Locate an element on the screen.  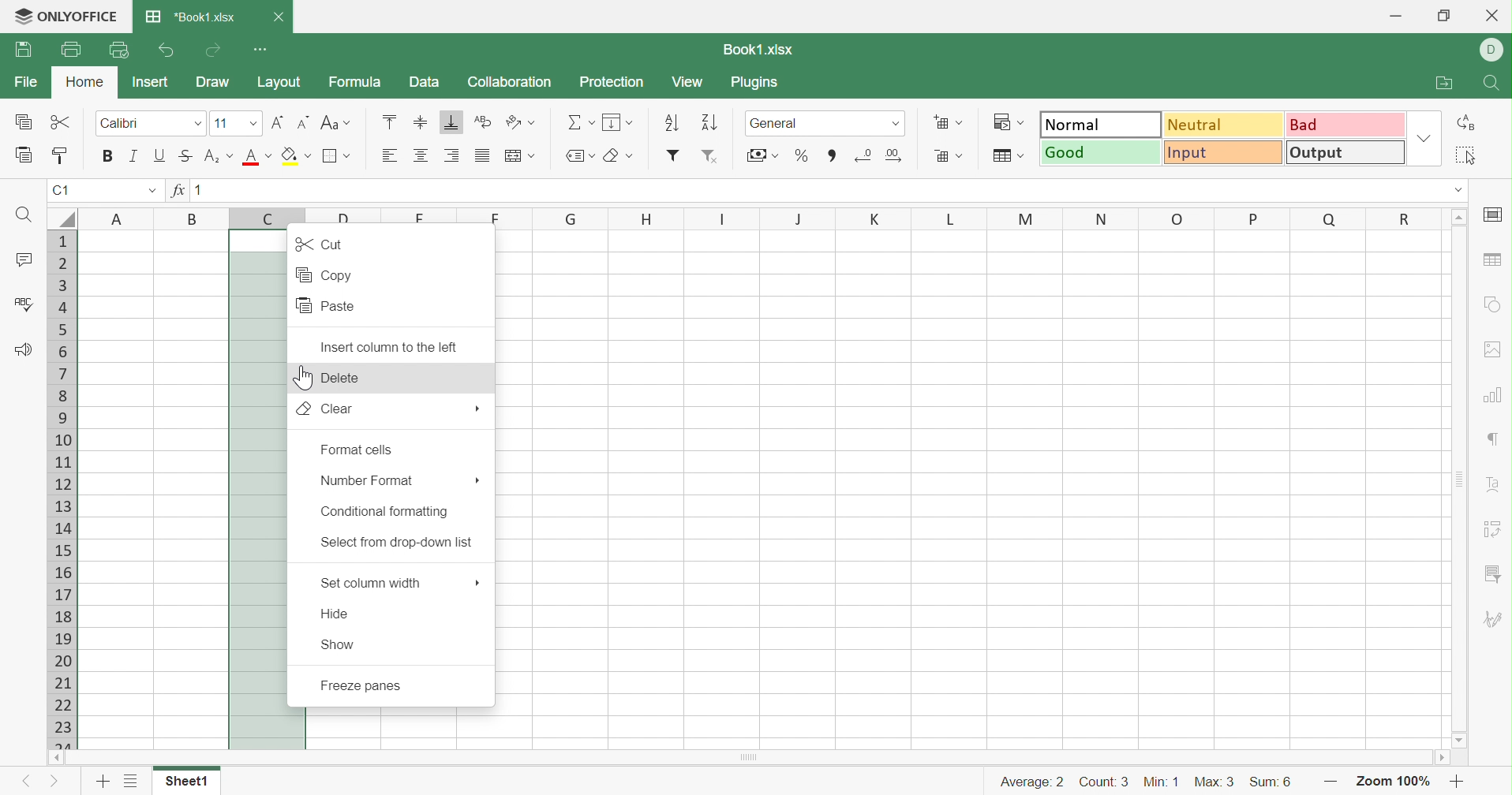
Zoom out is located at coordinates (1333, 780).